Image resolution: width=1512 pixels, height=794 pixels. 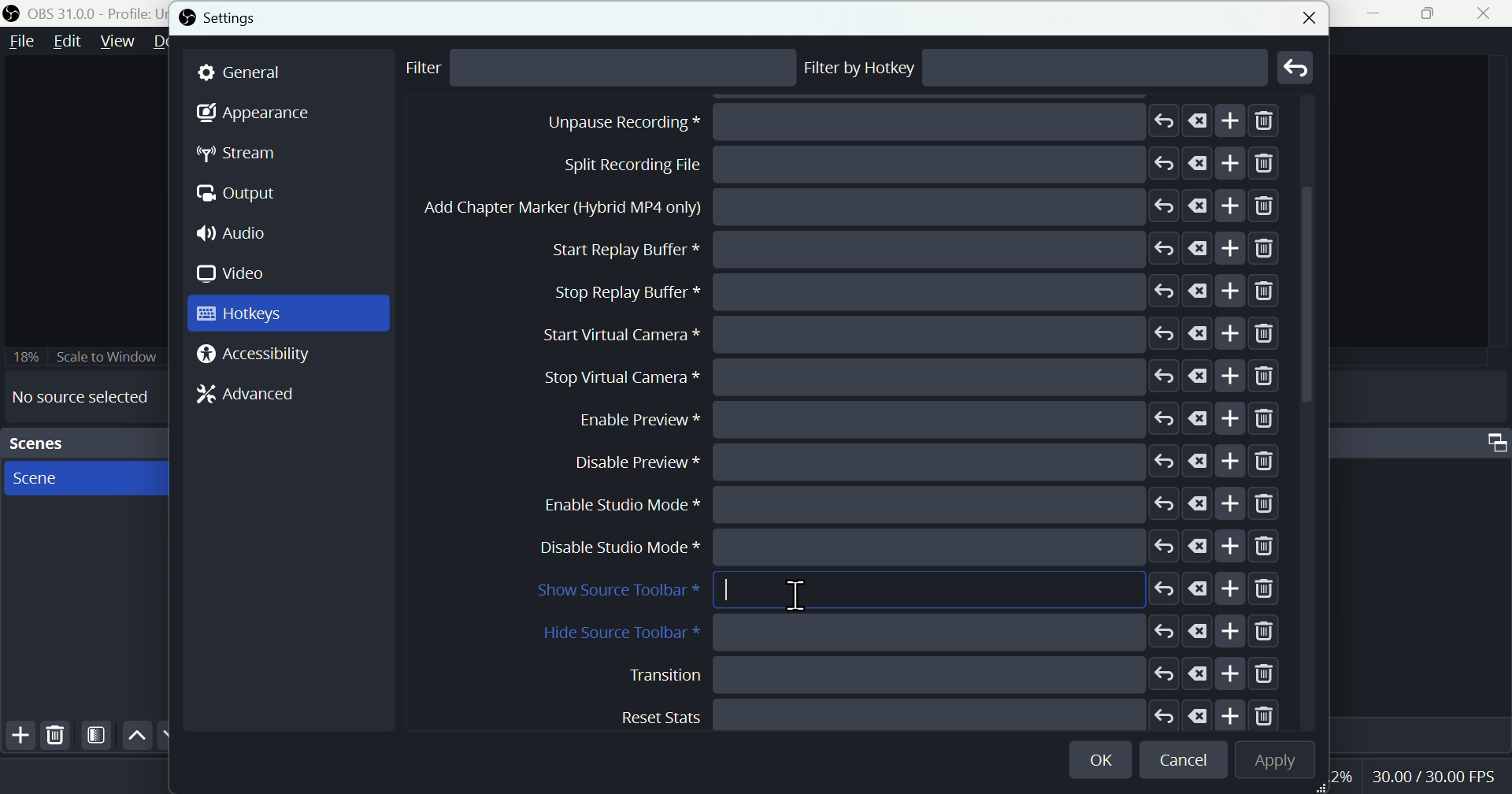 What do you see at coordinates (288, 314) in the screenshot?
I see `Hot keys` at bounding box center [288, 314].